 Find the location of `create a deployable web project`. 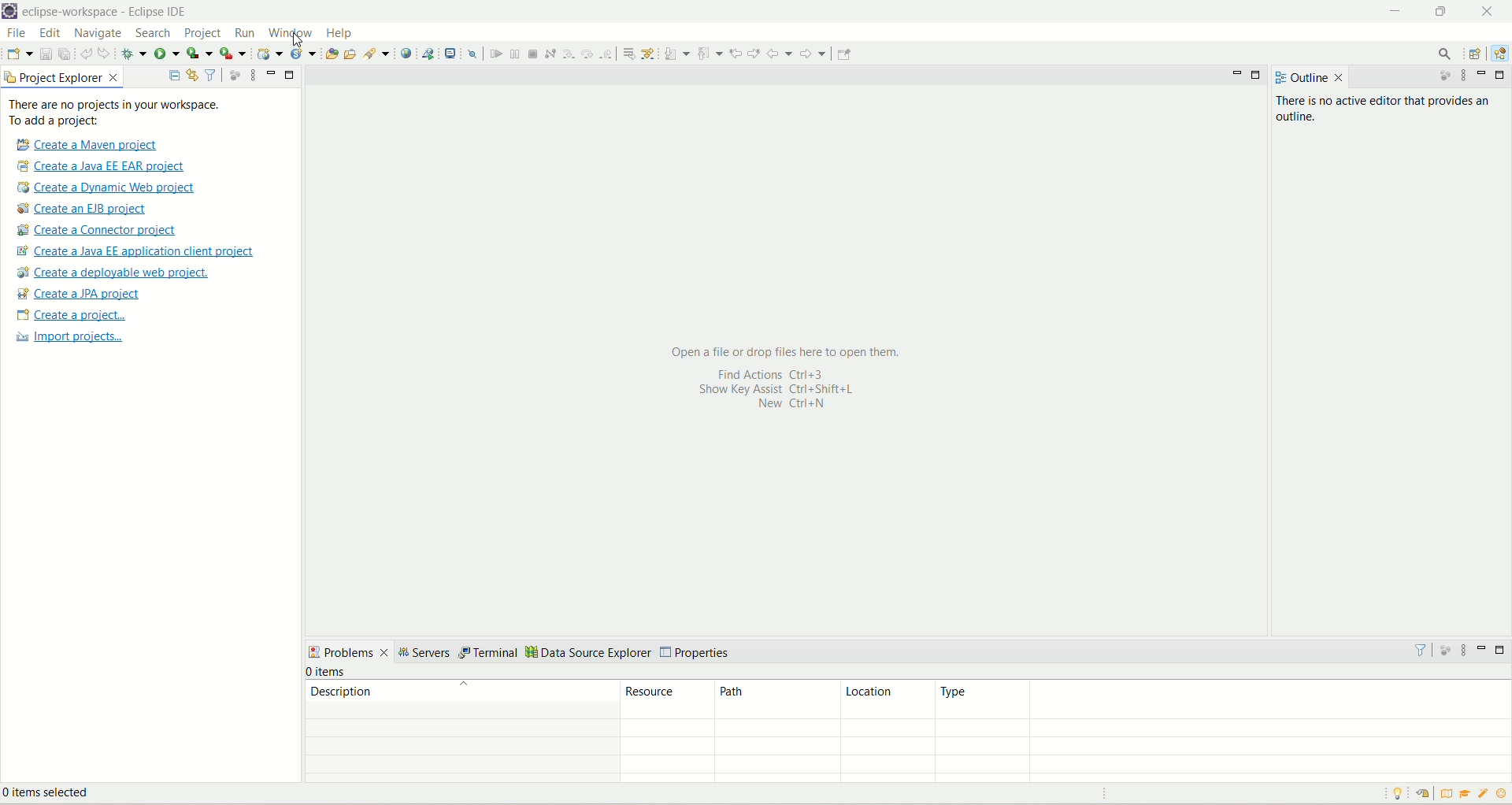

create a deployable web project is located at coordinates (114, 273).